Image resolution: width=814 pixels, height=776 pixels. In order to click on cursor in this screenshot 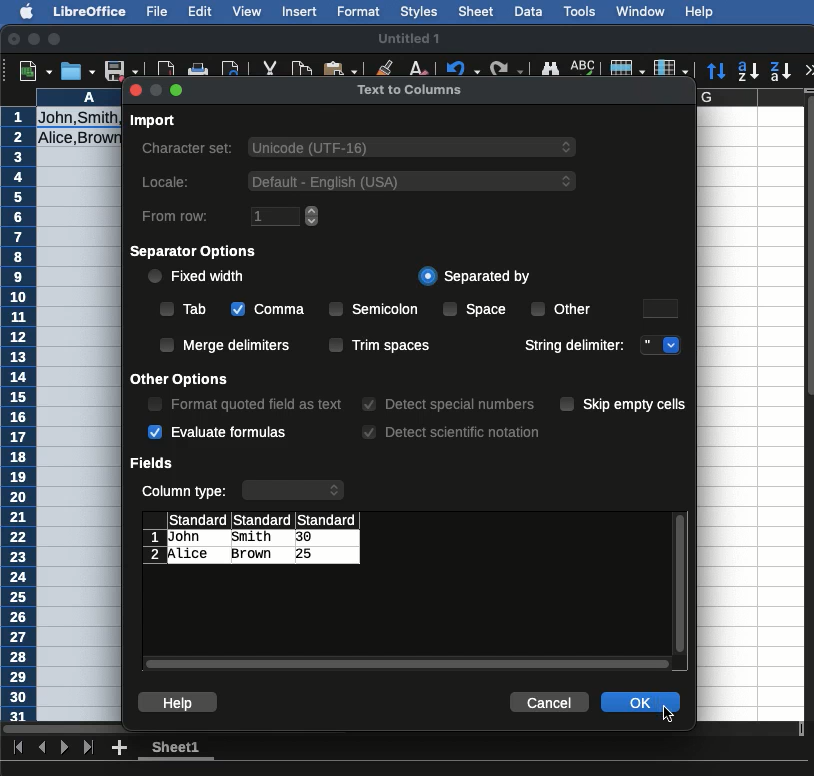, I will do `click(669, 716)`.